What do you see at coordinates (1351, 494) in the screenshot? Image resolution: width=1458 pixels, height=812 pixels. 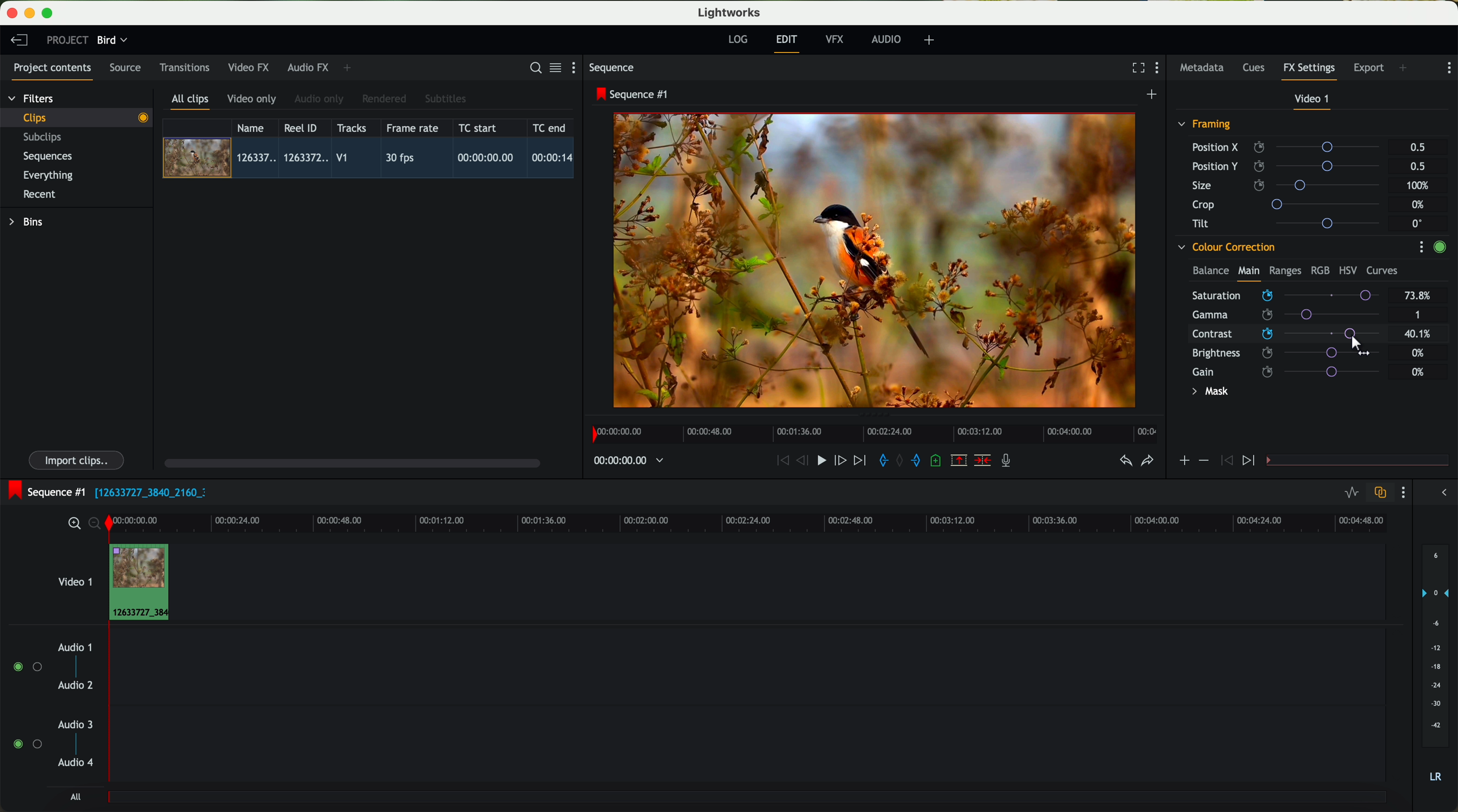 I see `toggle audio levels editing` at bounding box center [1351, 494].